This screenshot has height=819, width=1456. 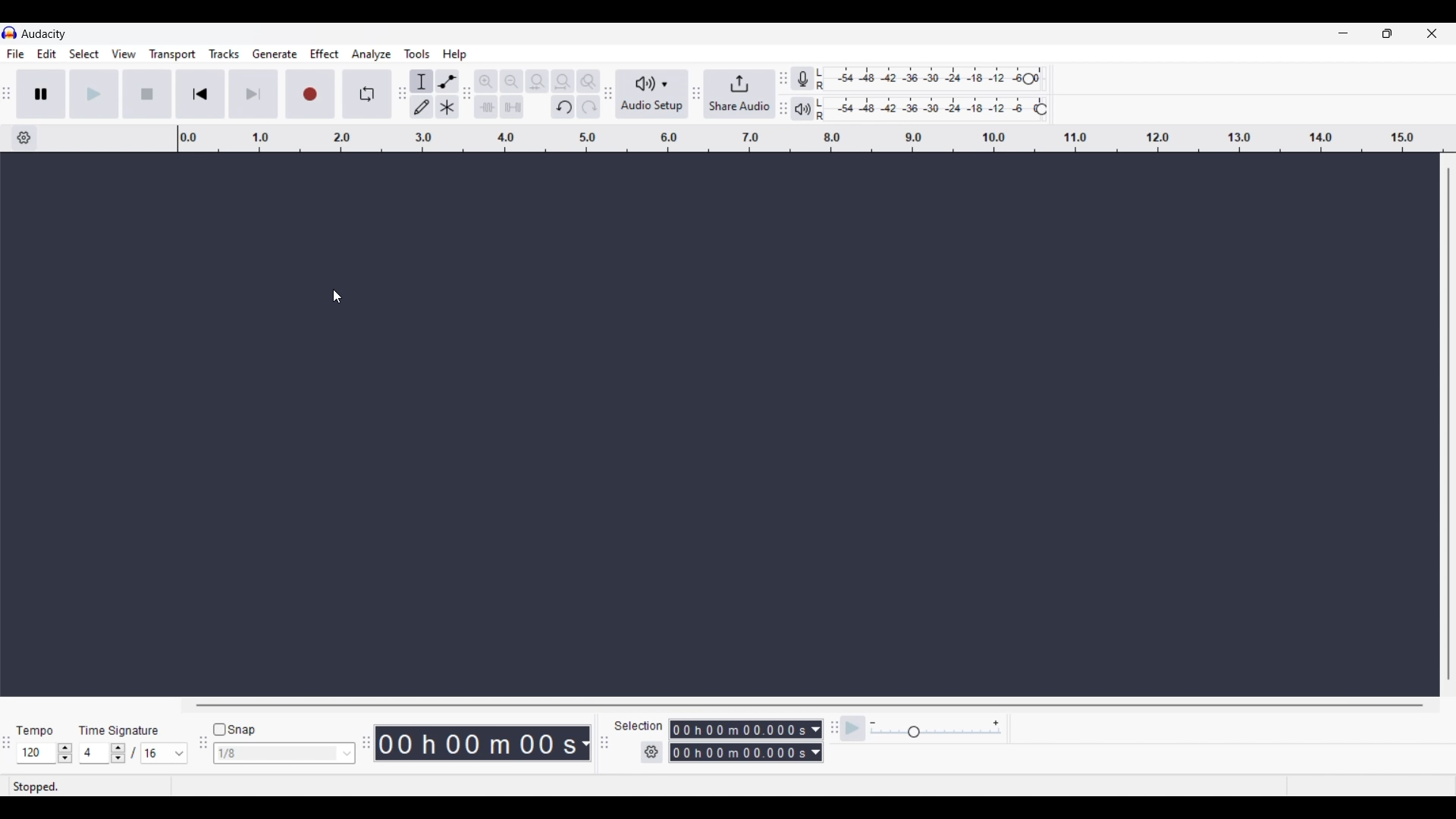 What do you see at coordinates (511, 81) in the screenshot?
I see `Zoom out` at bounding box center [511, 81].